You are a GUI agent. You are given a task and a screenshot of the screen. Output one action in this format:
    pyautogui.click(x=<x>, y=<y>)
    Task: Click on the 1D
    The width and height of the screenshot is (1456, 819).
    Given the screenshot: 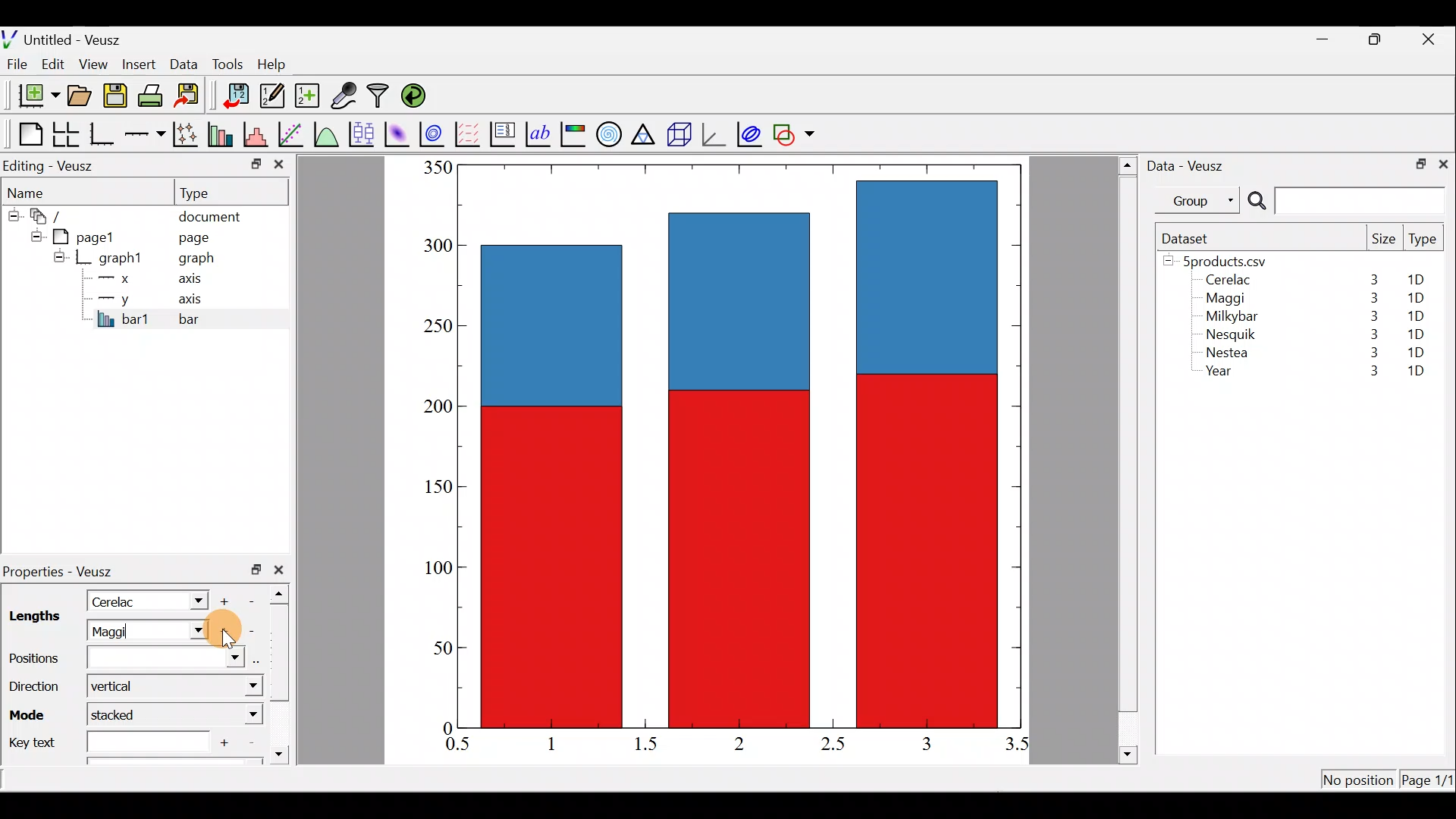 What is the action you would take?
    pyautogui.click(x=1418, y=331)
    